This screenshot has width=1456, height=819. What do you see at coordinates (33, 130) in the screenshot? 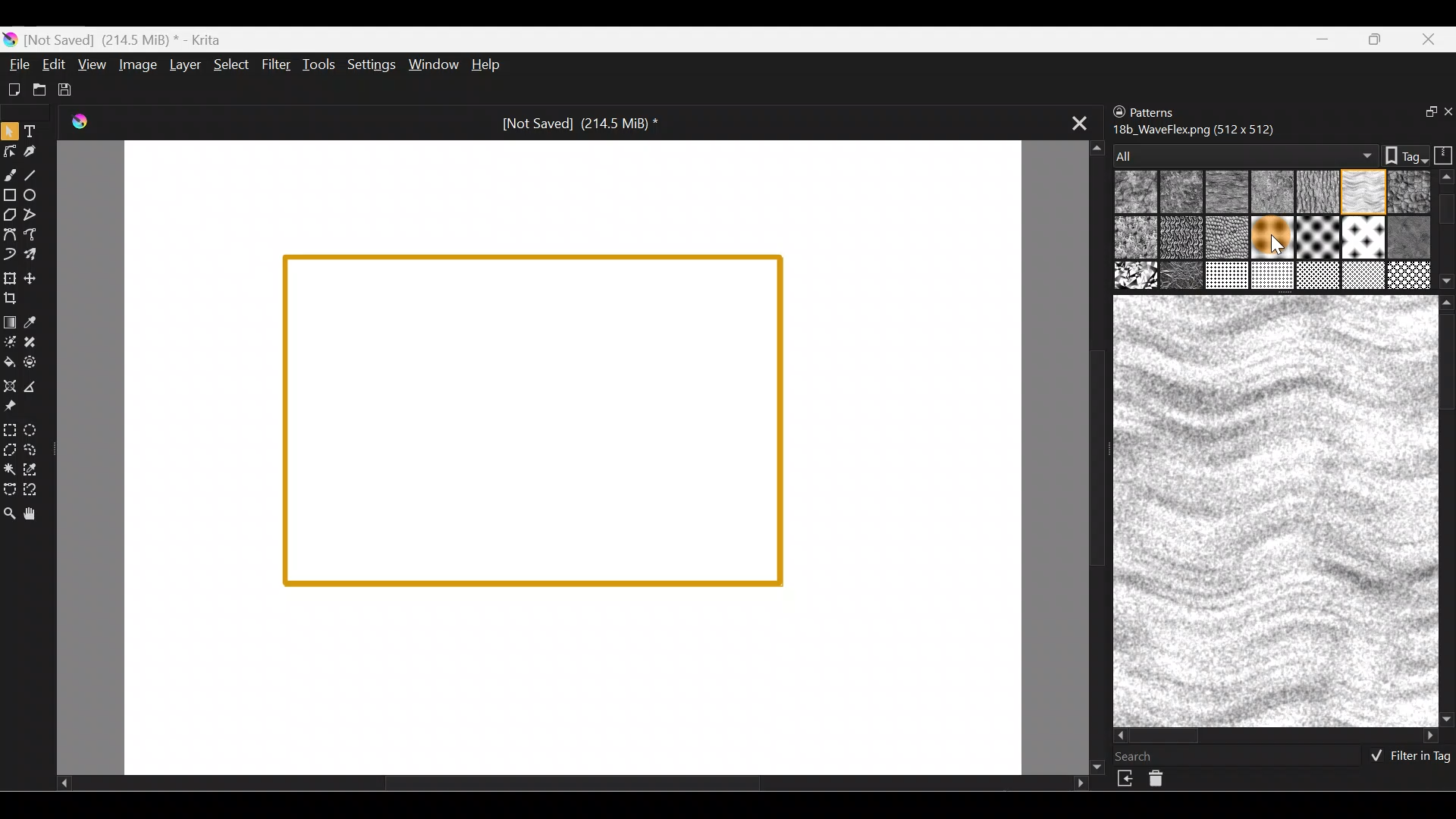
I see `Text tool` at bounding box center [33, 130].